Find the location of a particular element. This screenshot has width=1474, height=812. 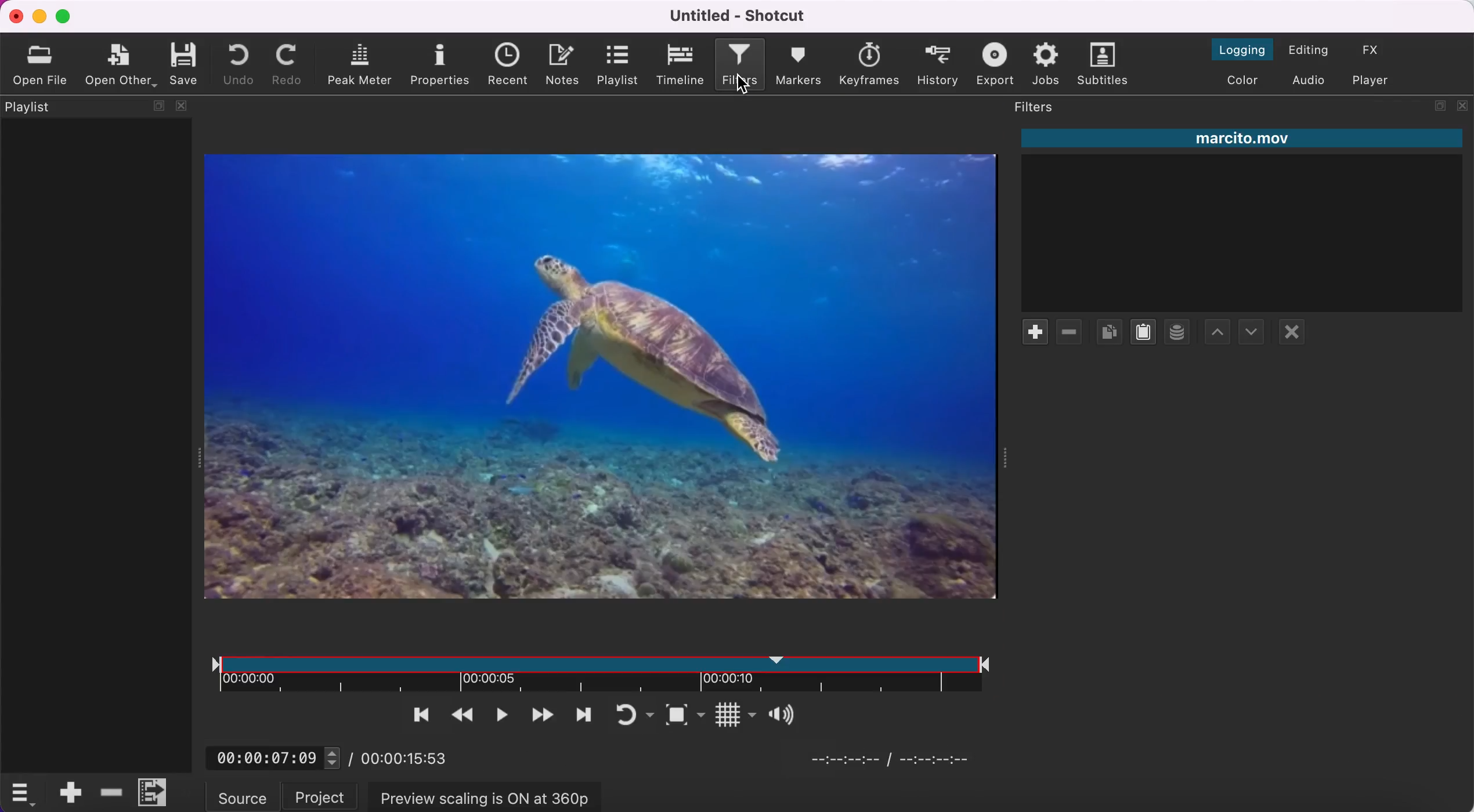

timeline is located at coordinates (680, 64).